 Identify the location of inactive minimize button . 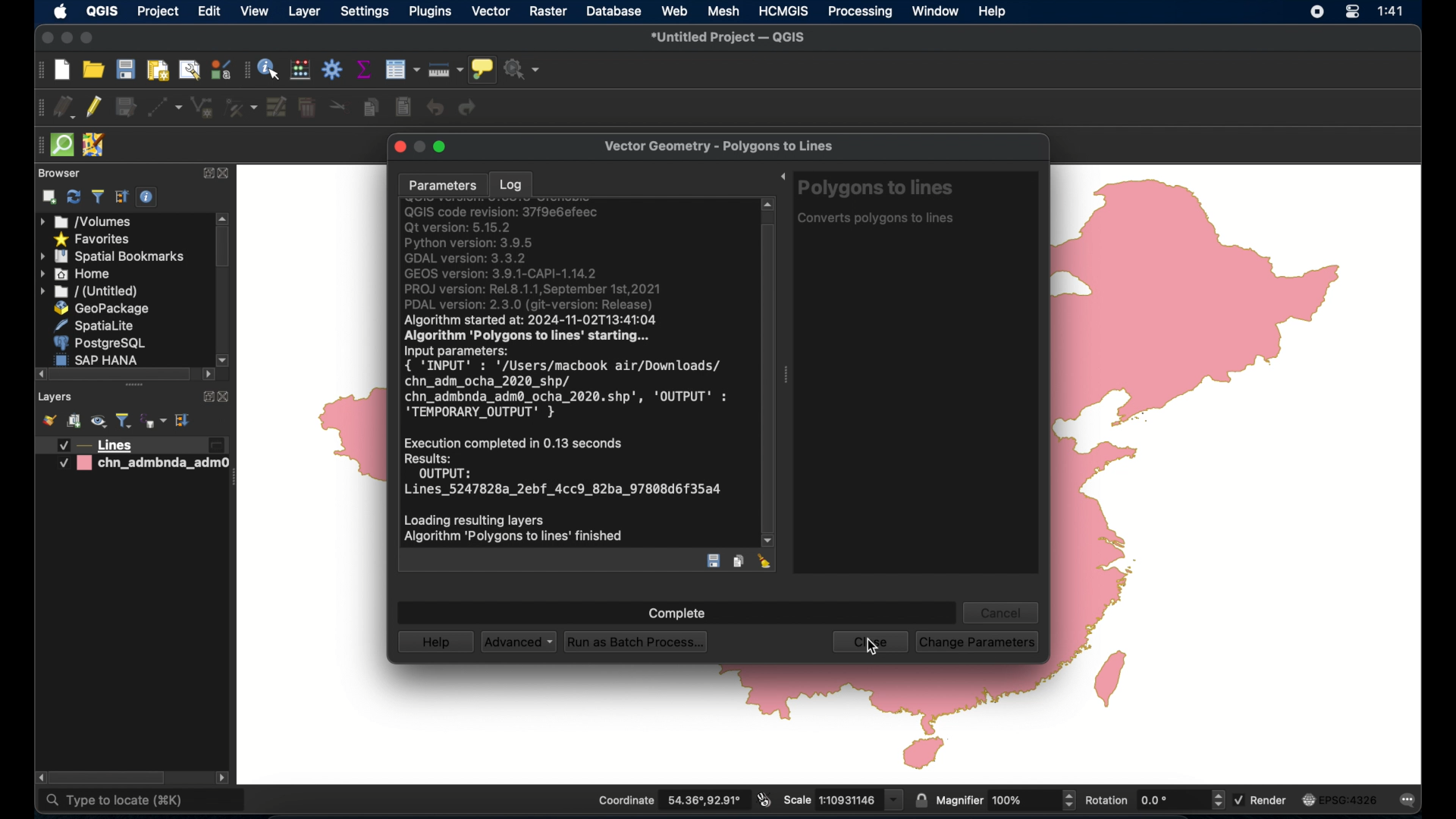
(419, 148).